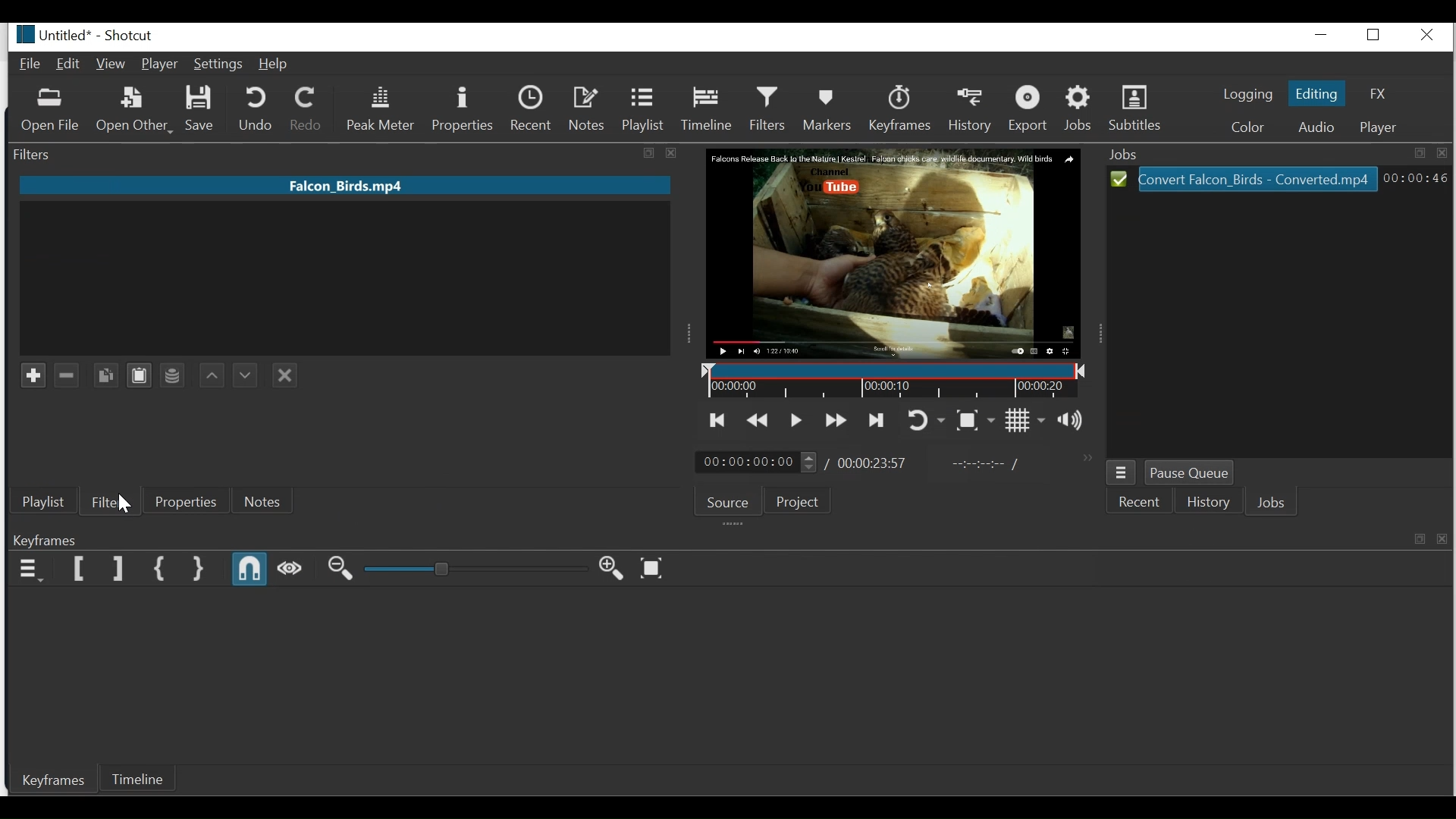  Describe the element at coordinates (1313, 127) in the screenshot. I see `Audio` at that location.